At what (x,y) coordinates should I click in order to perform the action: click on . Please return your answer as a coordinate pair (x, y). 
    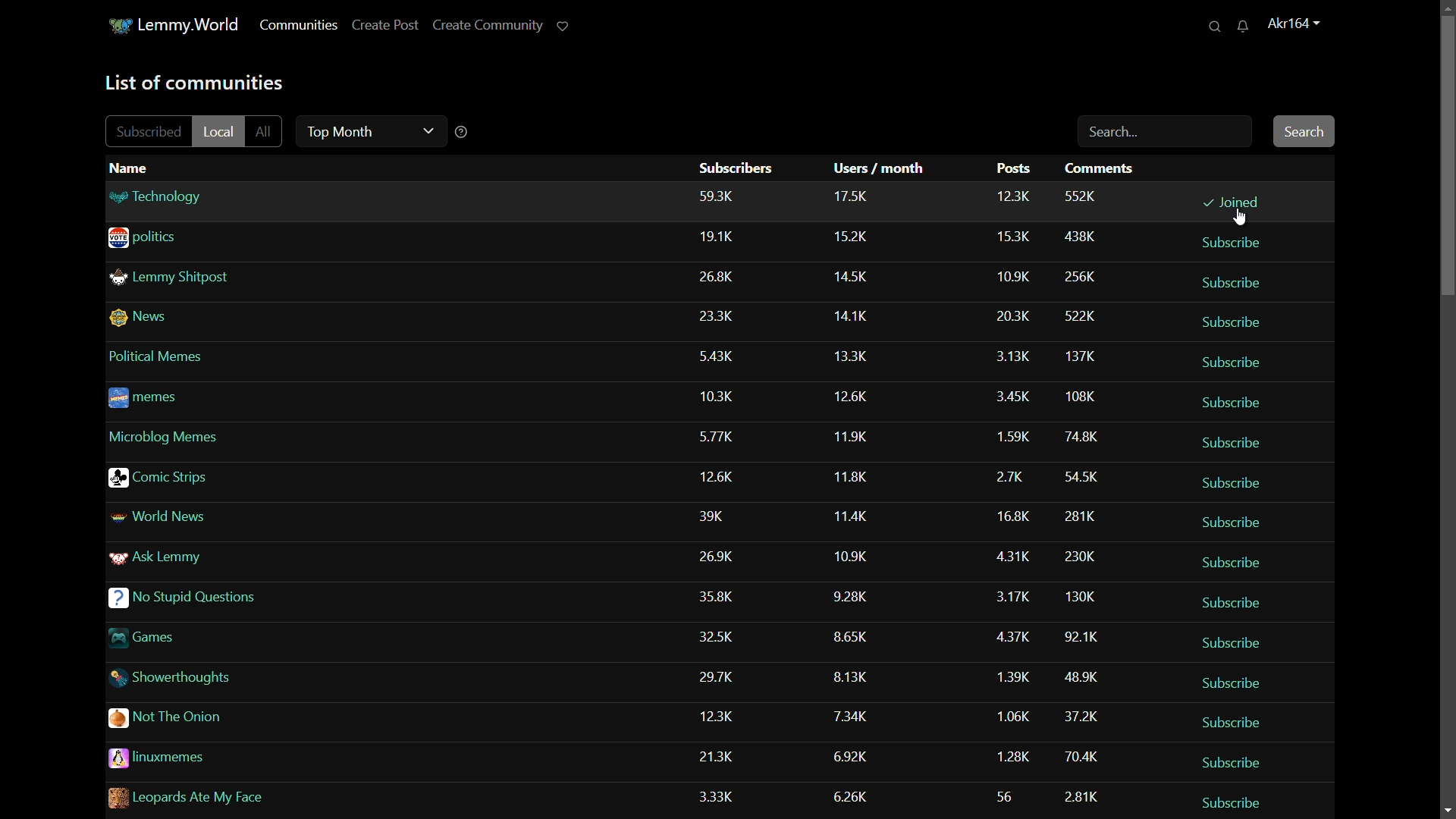
    Looking at the image, I should click on (723, 240).